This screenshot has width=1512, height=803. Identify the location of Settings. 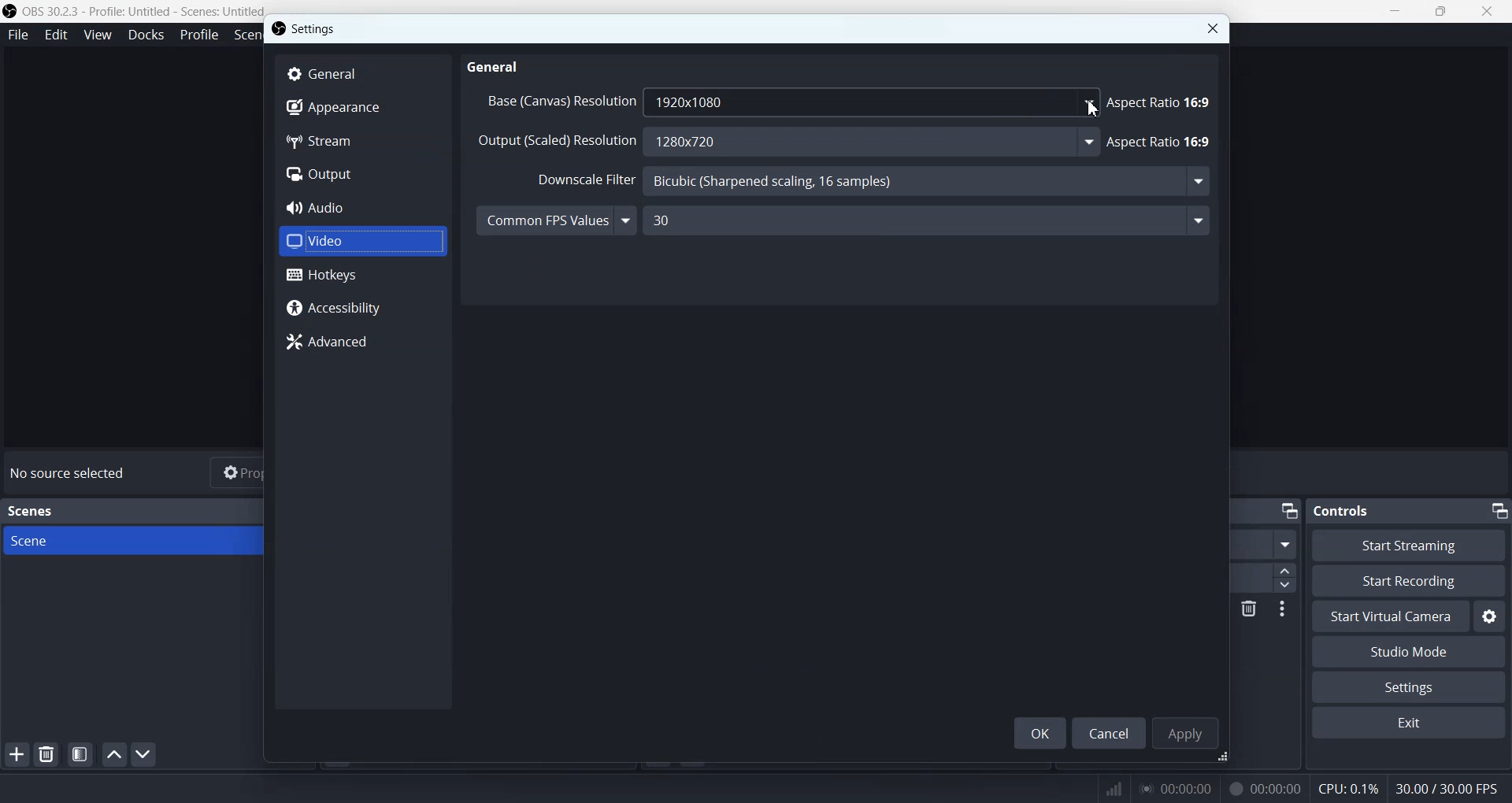
(306, 28).